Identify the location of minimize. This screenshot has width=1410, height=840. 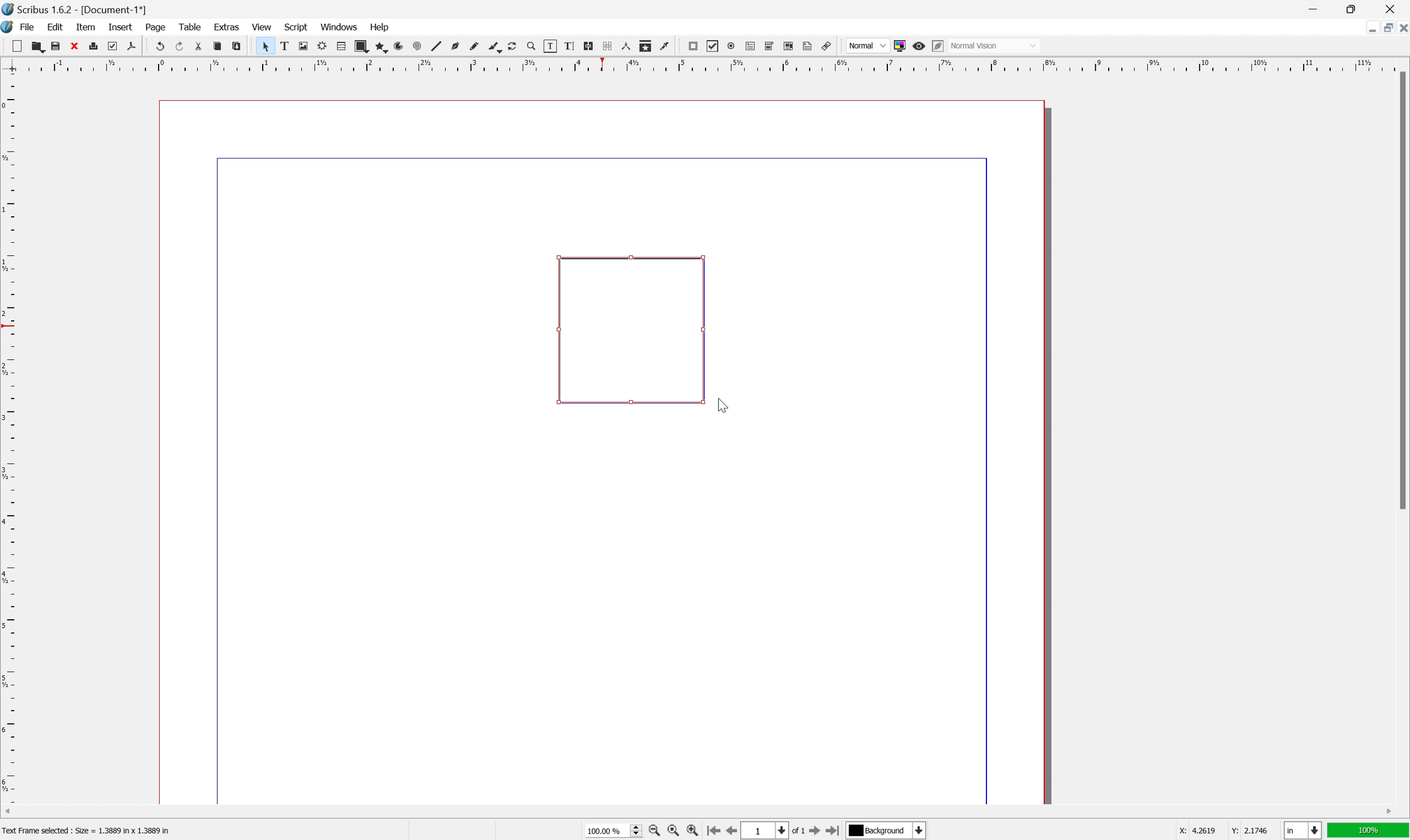
(1369, 29).